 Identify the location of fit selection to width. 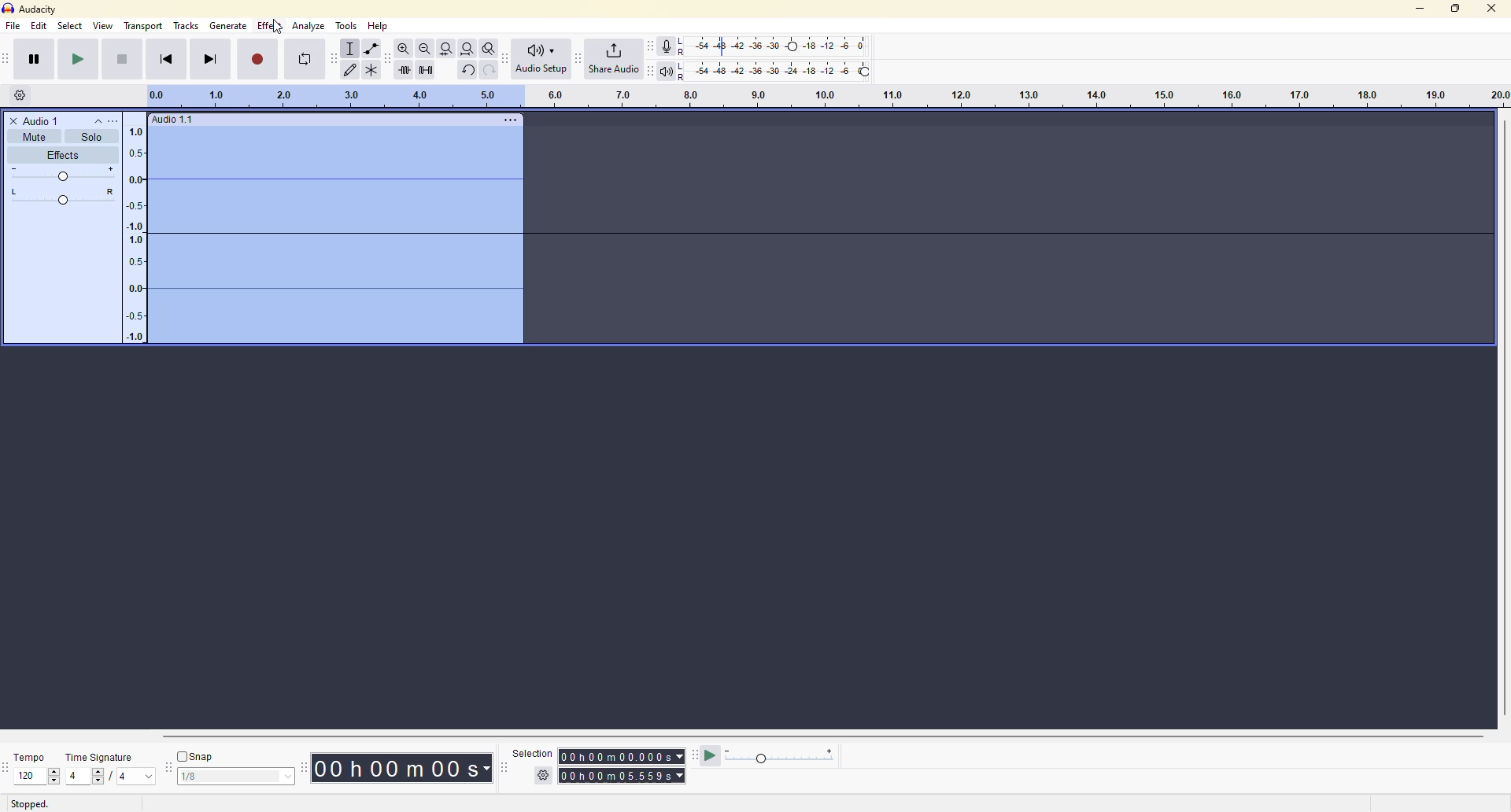
(446, 48).